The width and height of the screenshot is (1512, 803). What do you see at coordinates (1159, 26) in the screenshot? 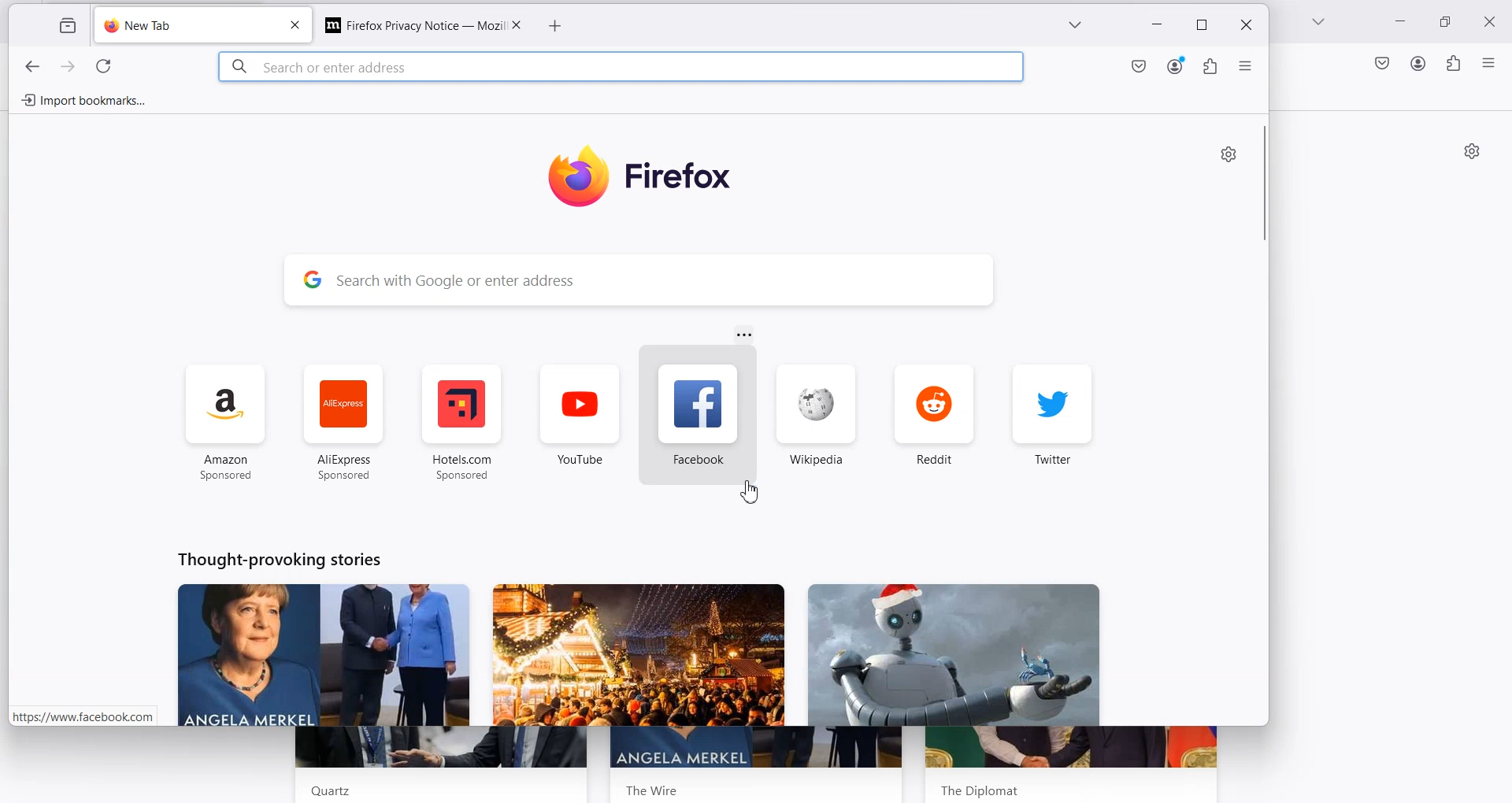
I see `minimize` at bounding box center [1159, 26].